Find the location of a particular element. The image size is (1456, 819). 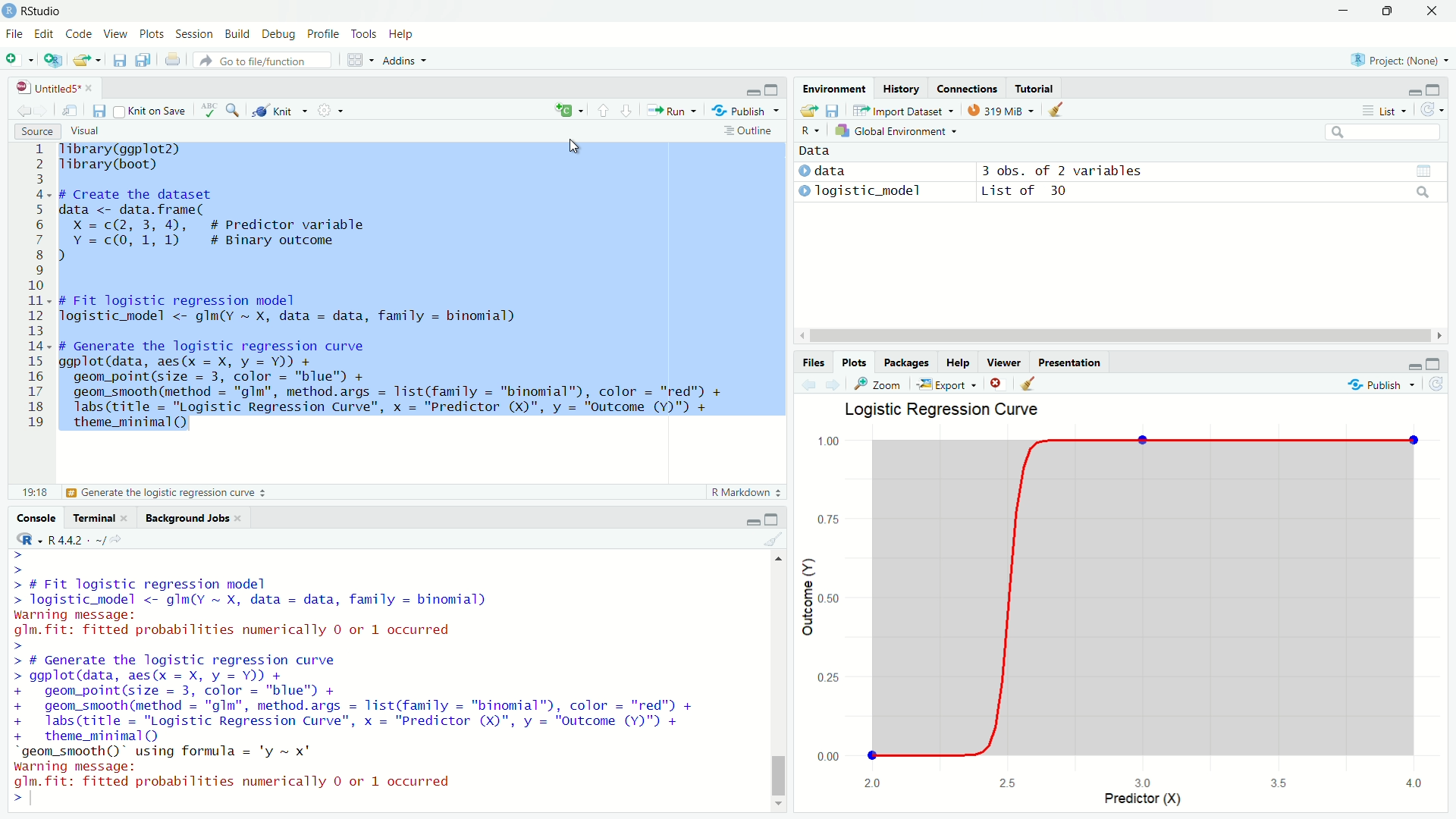

202 MiB is located at coordinates (1001, 108).